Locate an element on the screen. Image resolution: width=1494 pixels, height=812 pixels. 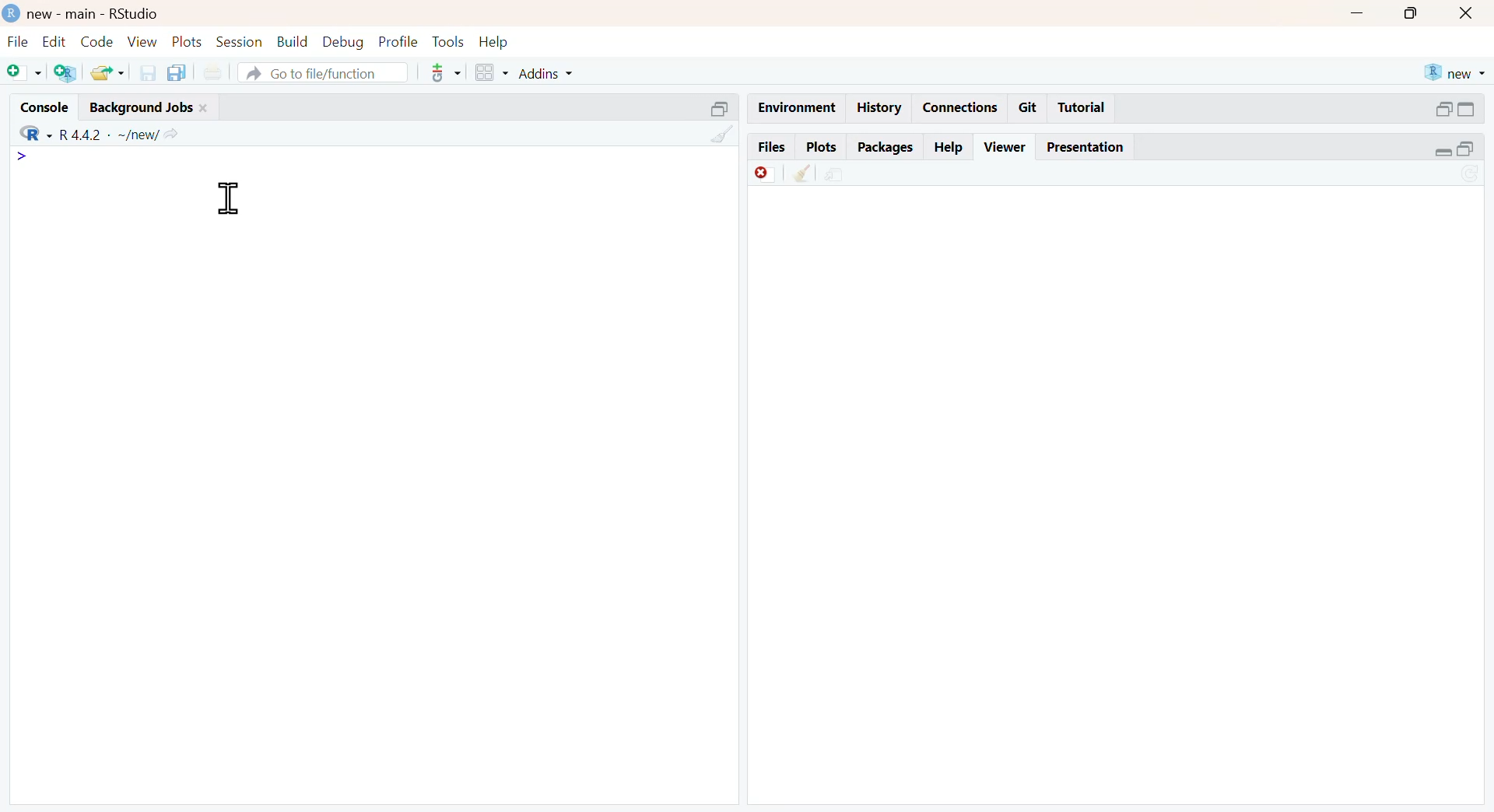
expand/collapse  is located at coordinates (721, 108).